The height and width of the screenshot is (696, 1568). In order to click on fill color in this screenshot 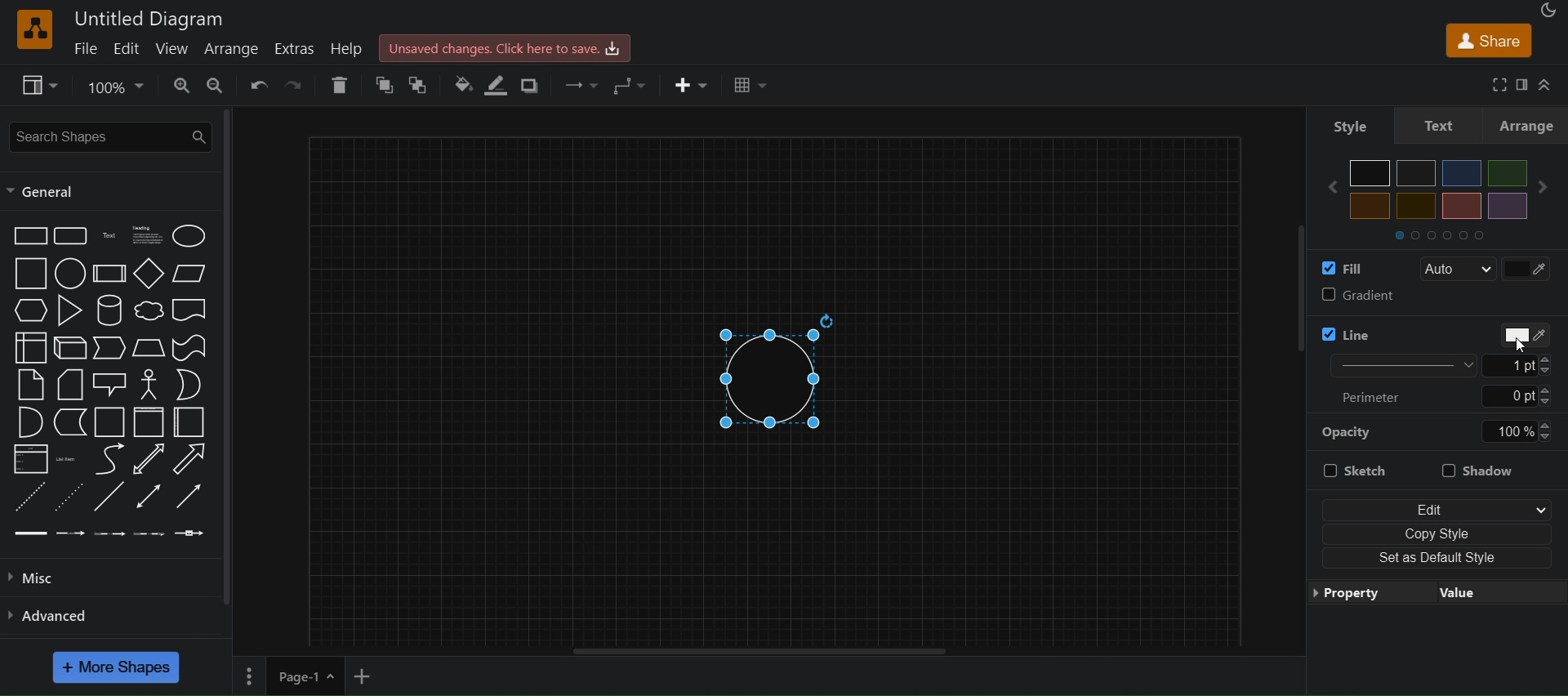, I will do `click(462, 83)`.